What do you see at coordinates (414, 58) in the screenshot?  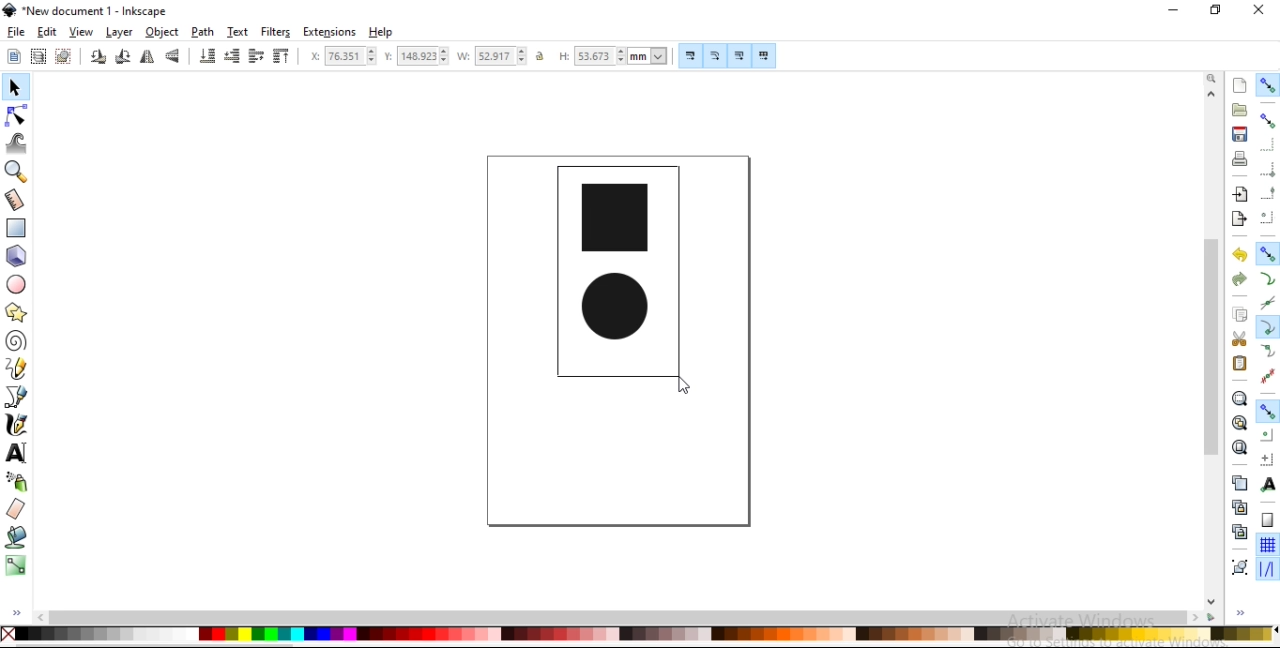 I see `vertical coordinate of selection` at bounding box center [414, 58].